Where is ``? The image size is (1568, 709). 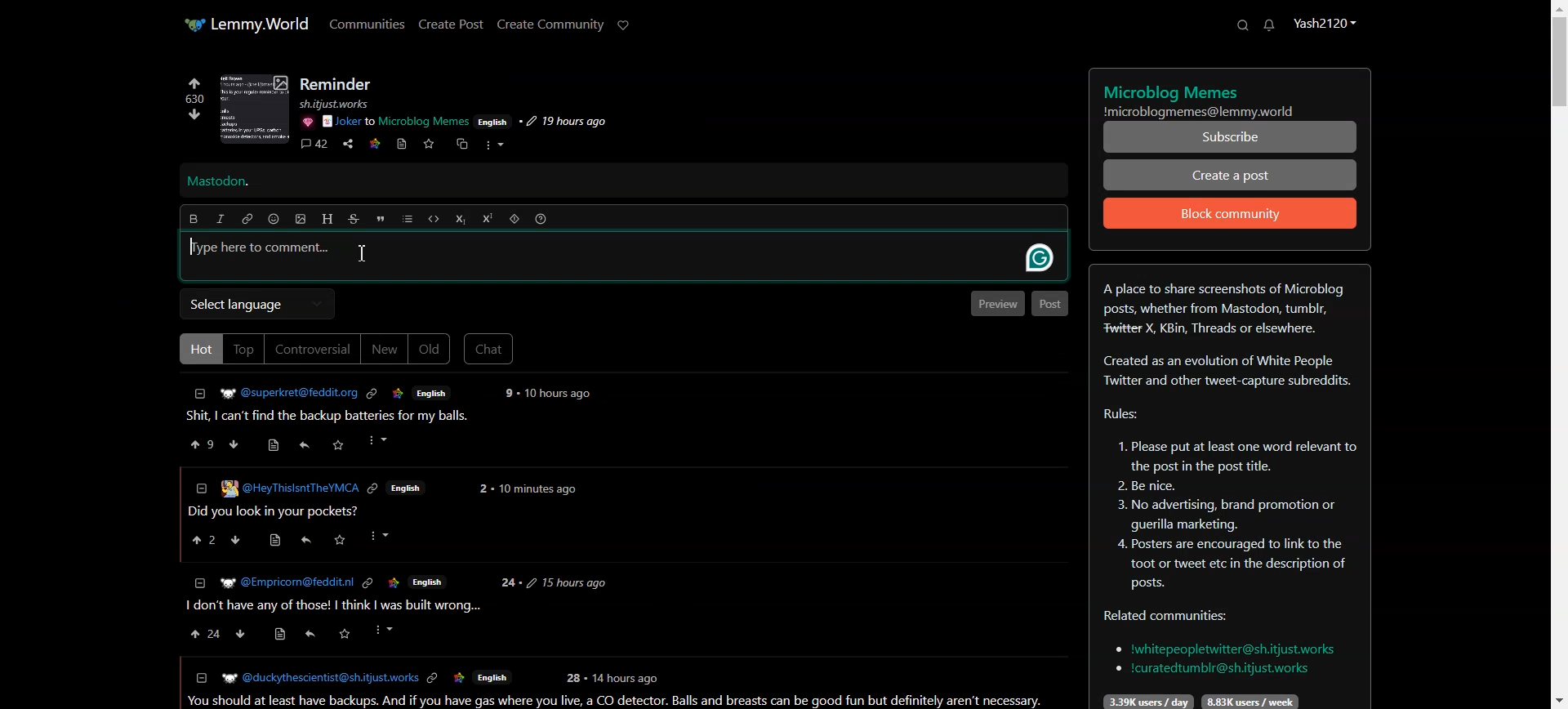  is located at coordinates (493, 121).